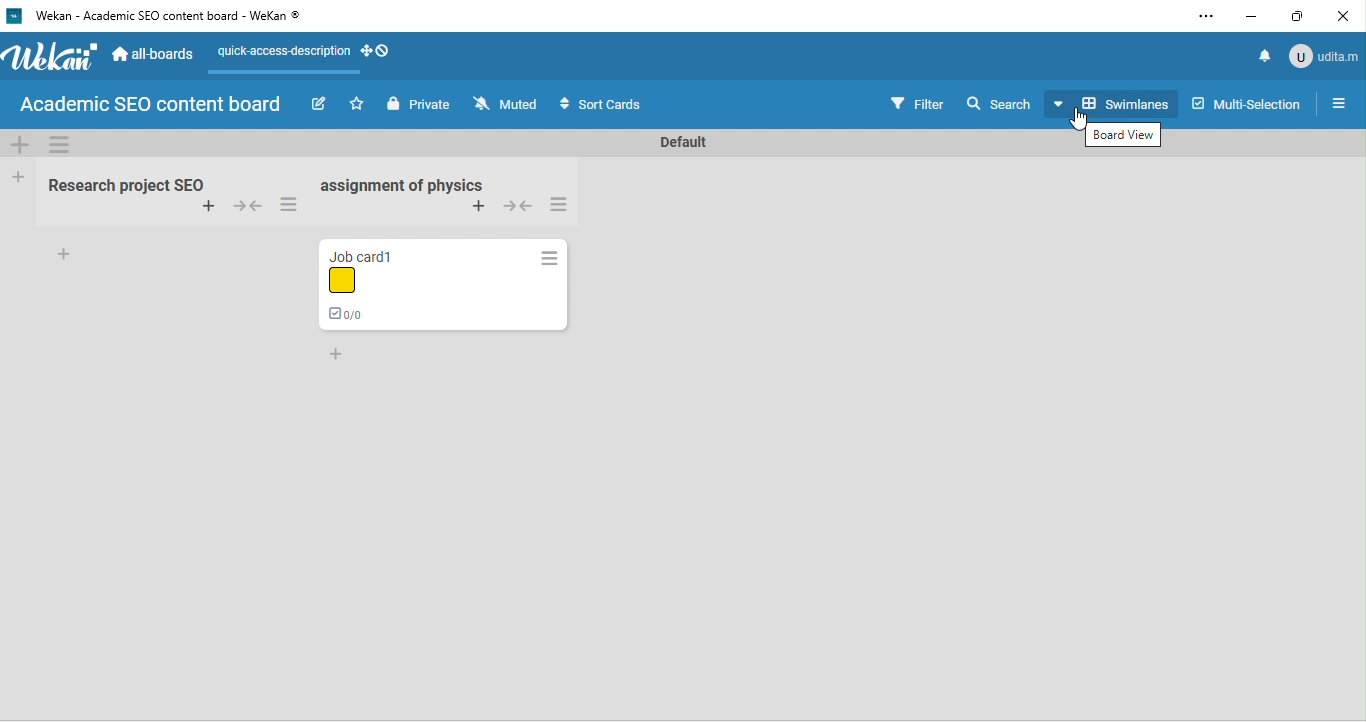 This screenshot has width=1366, height=722. What do you see at coordinates (402, 186) in the screenshot?
I see `assignment of physics` at bounding box center [402, 186].